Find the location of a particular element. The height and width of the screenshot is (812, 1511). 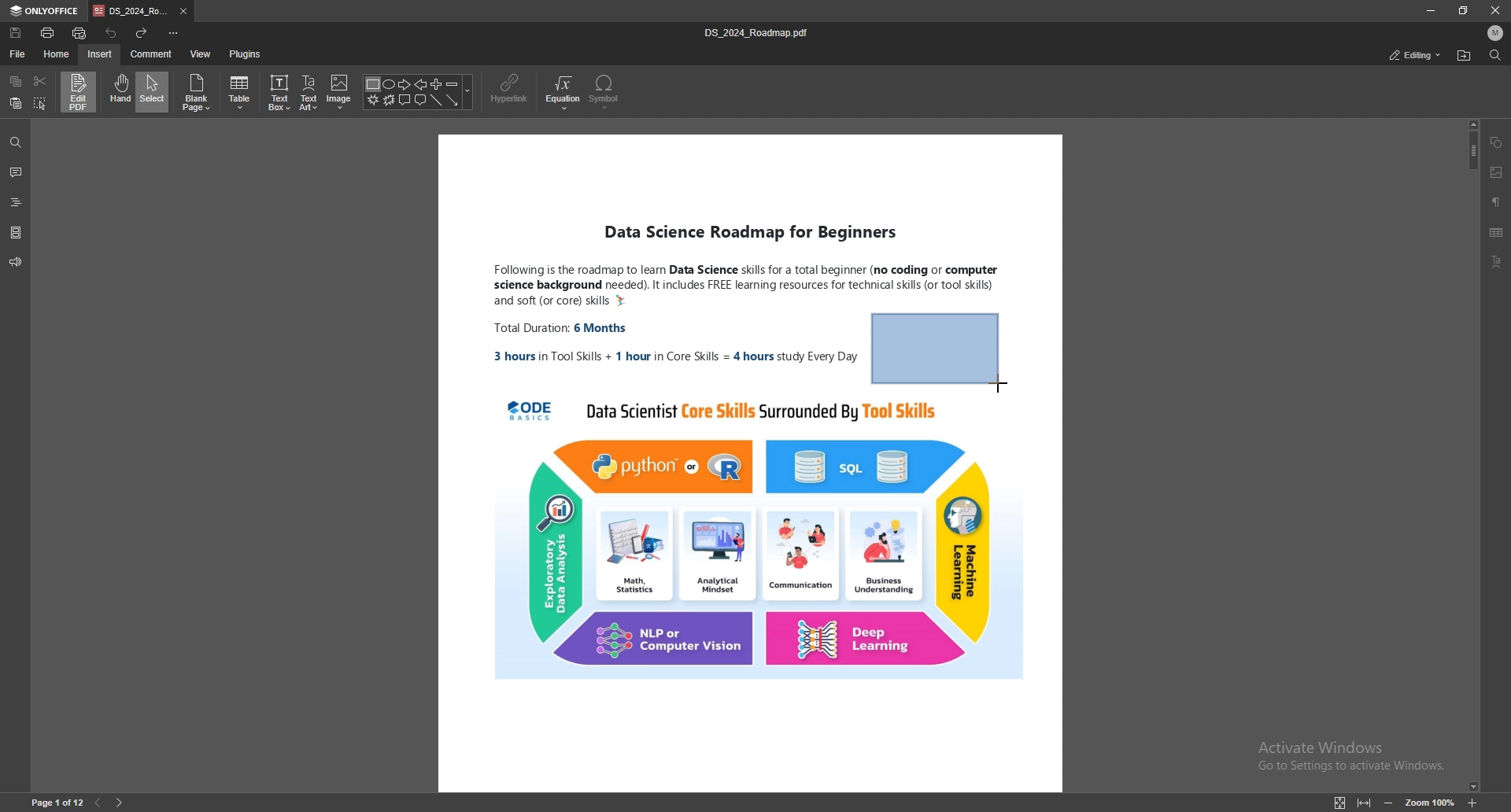

image is located at coordinates (339, 92).